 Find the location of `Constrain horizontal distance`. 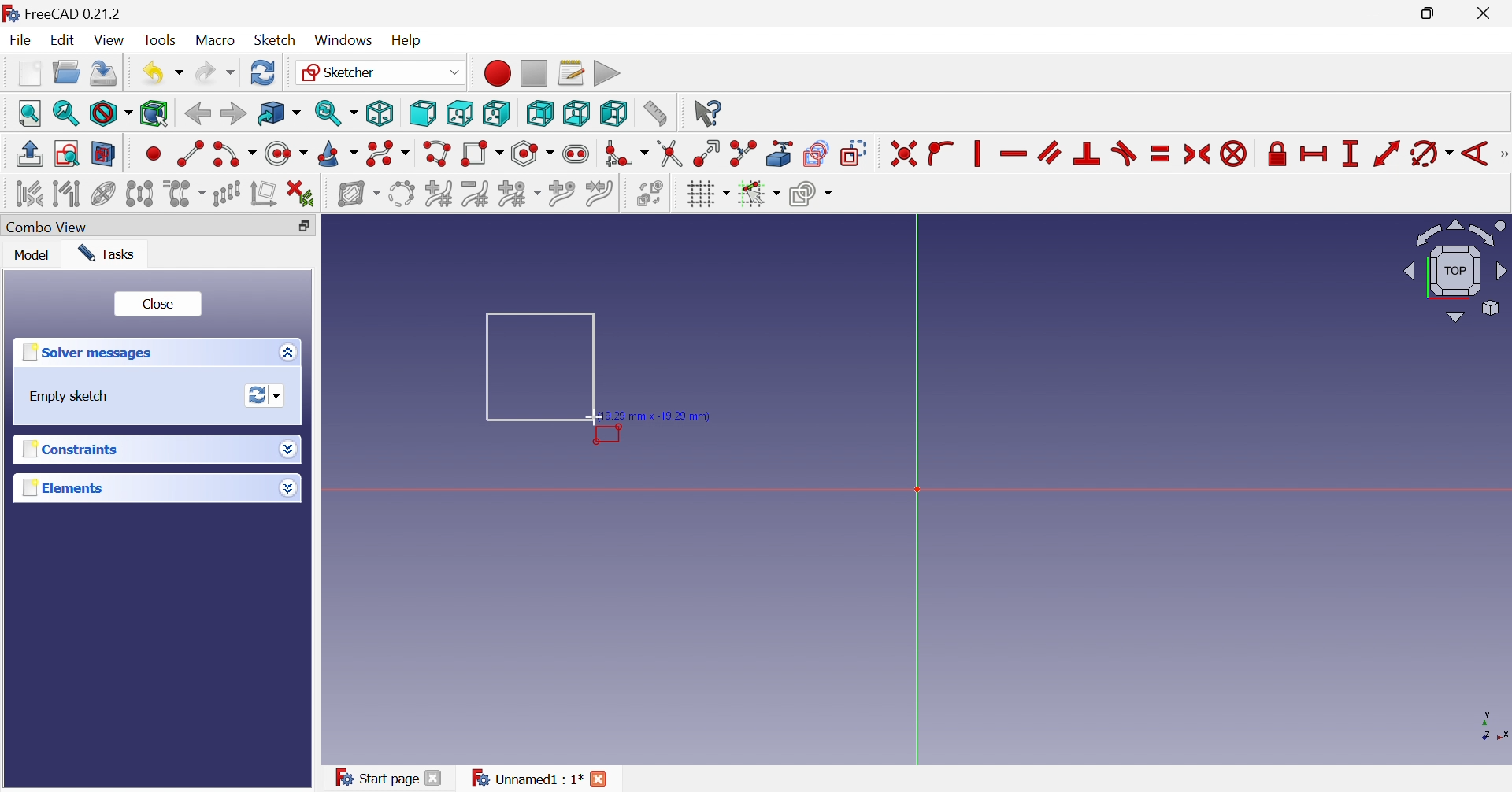

Constrain horizontal distance is located at coordinates (1314, 154).